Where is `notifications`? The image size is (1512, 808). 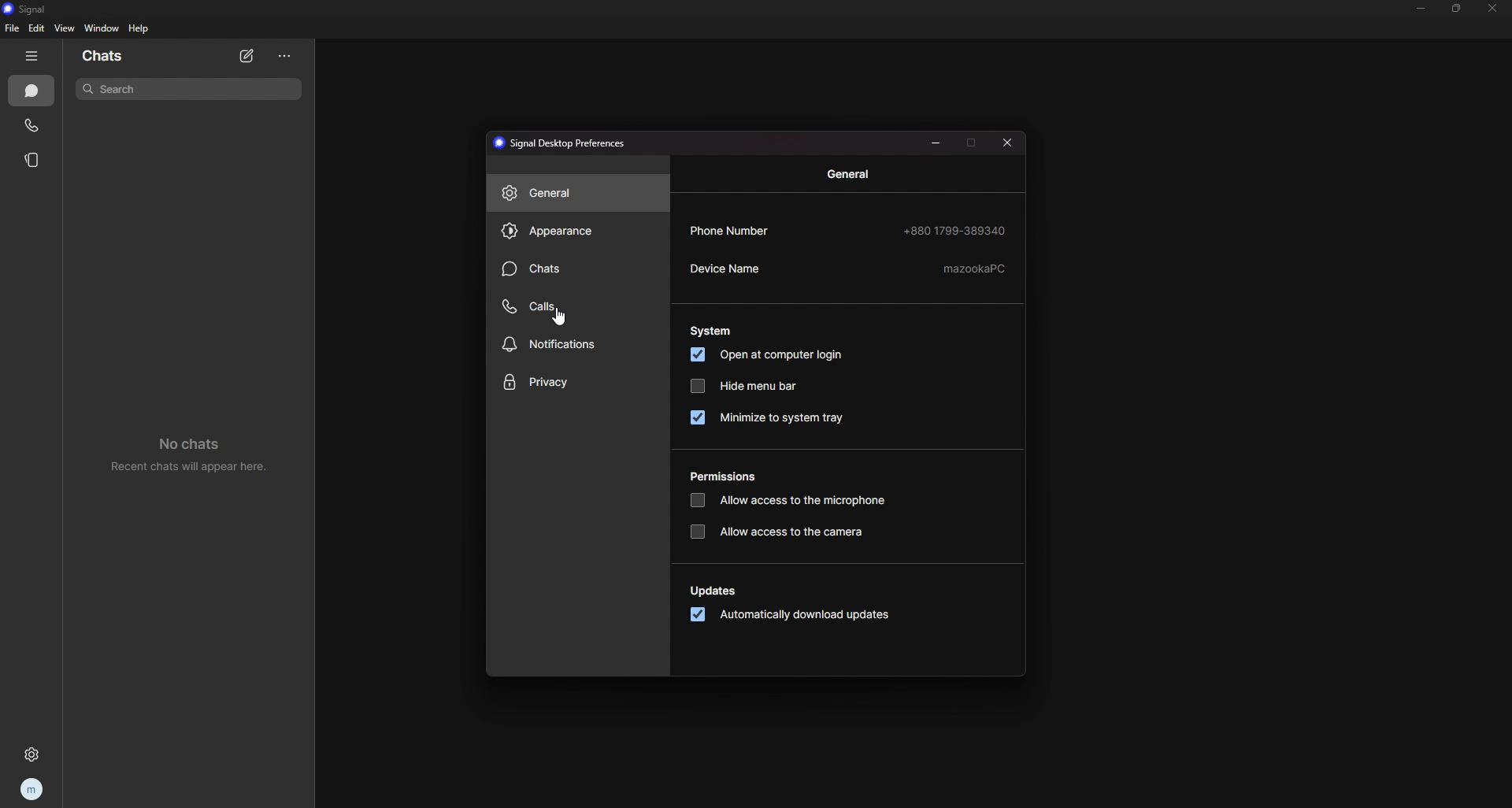
notifications is located at coordinates (577, 344).